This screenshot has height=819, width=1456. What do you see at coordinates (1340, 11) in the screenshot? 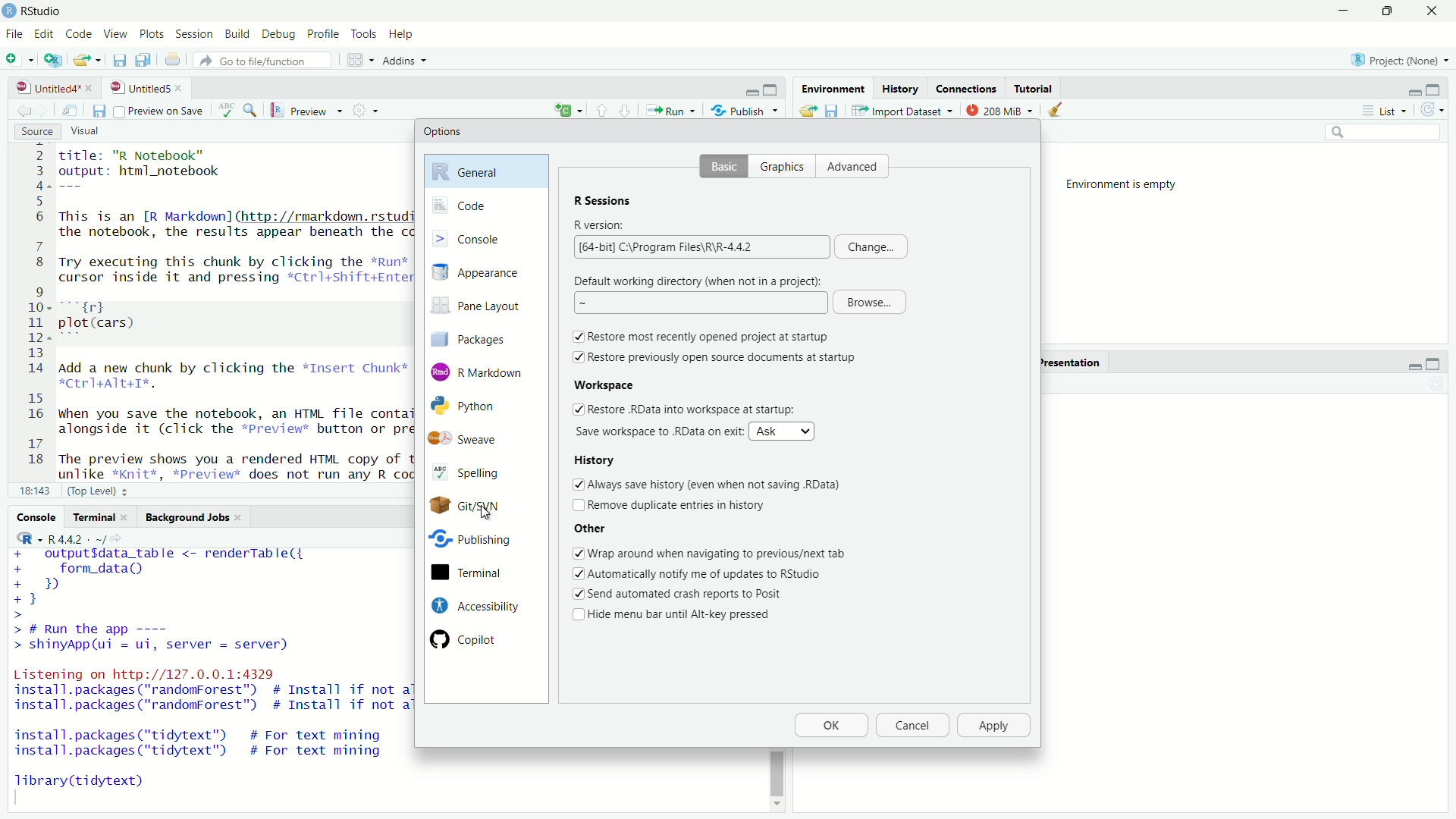
I see `minimise` at bounding box center [1340, 11].